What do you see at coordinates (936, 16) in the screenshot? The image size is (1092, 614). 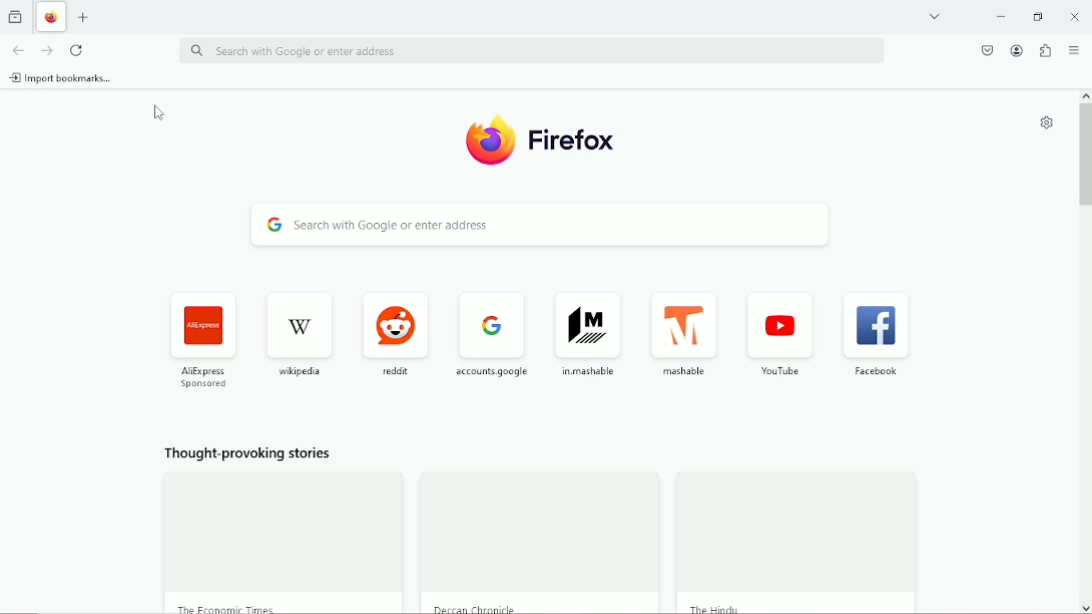 I see `list all tabs` at bounding box center [936, 16].